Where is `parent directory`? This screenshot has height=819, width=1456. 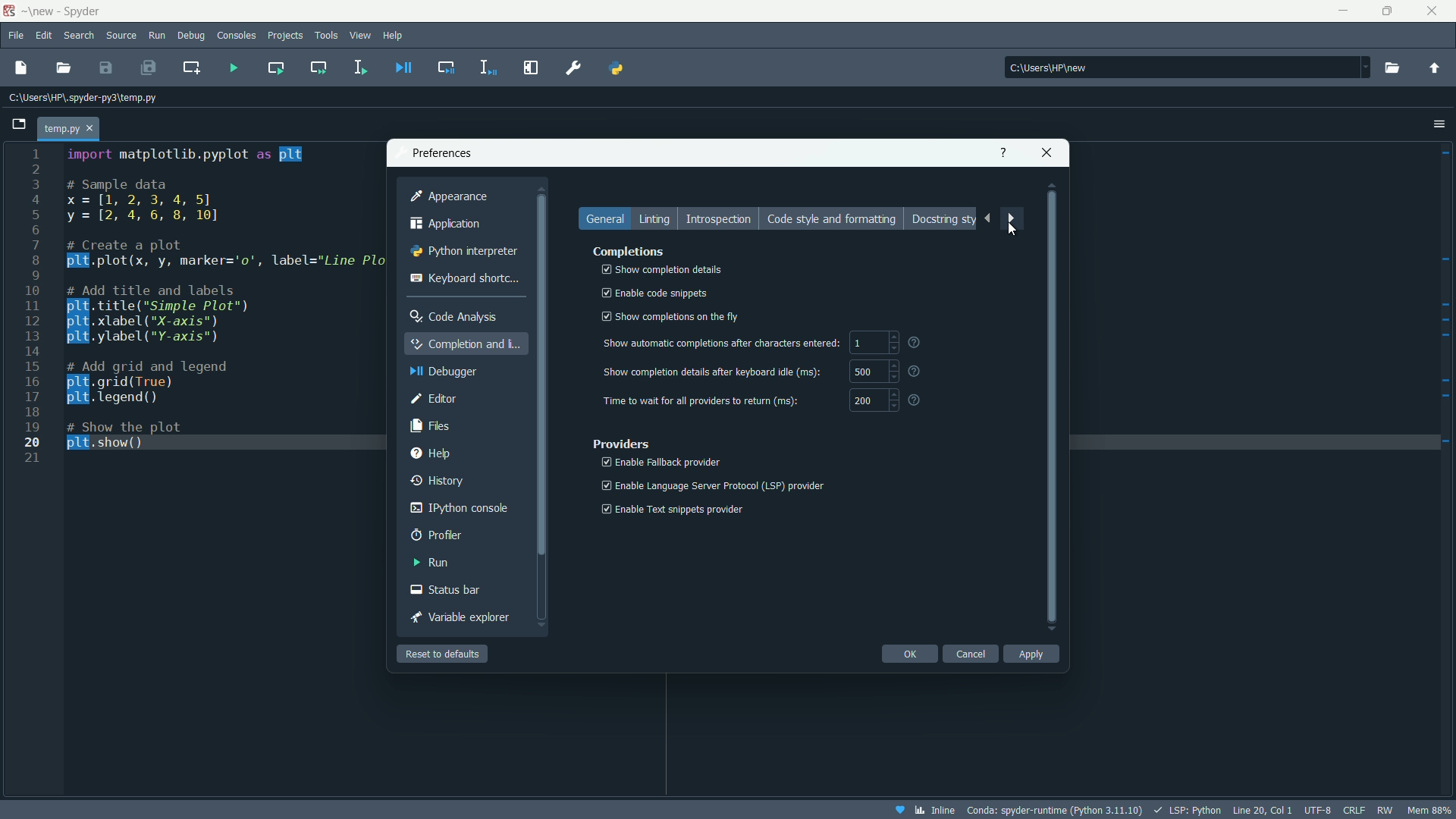 parent directory is located at coordinates (1434, 67).